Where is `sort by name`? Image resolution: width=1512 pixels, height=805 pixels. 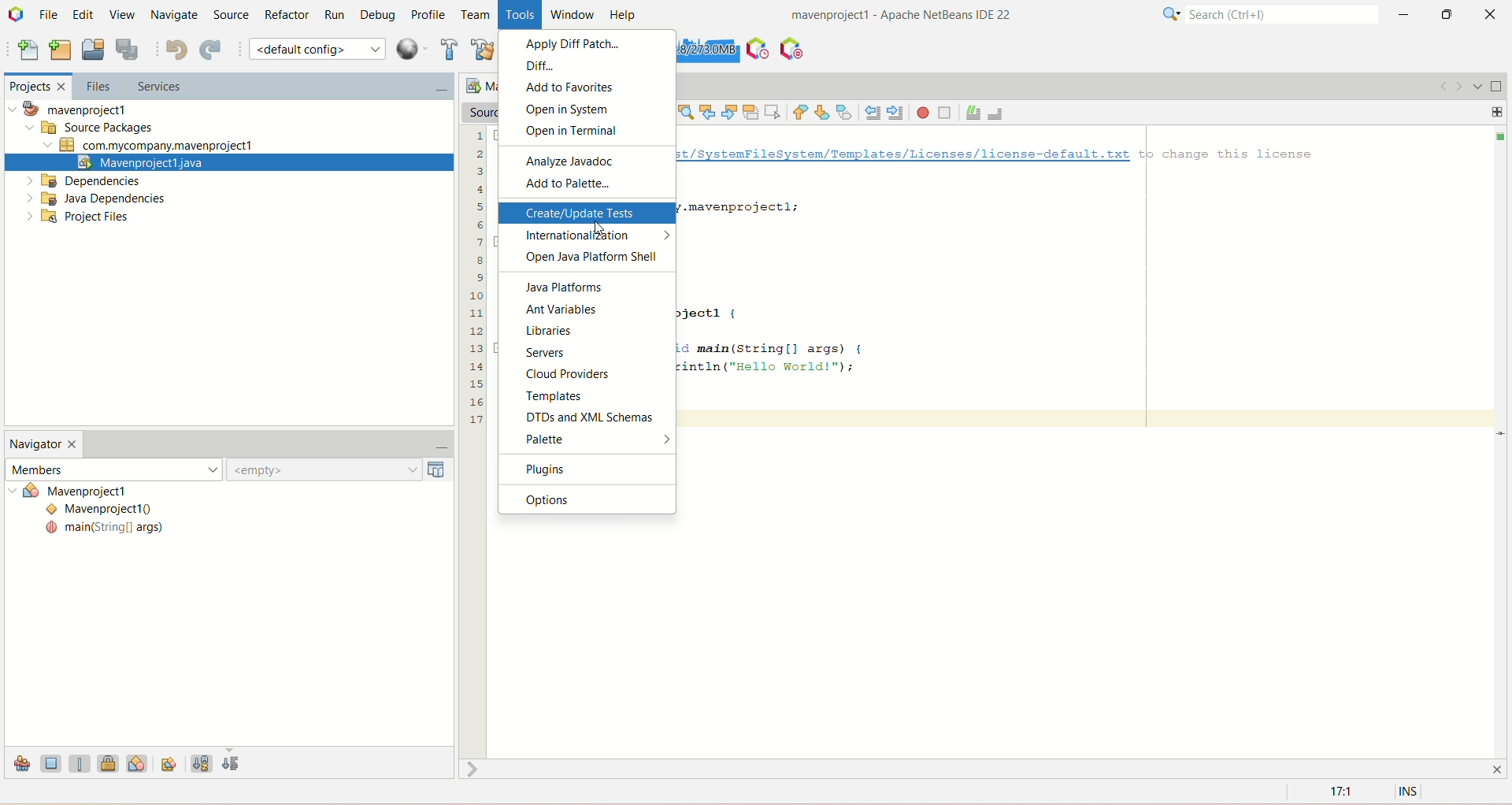
sort by name is located at coordinates (201, 761).